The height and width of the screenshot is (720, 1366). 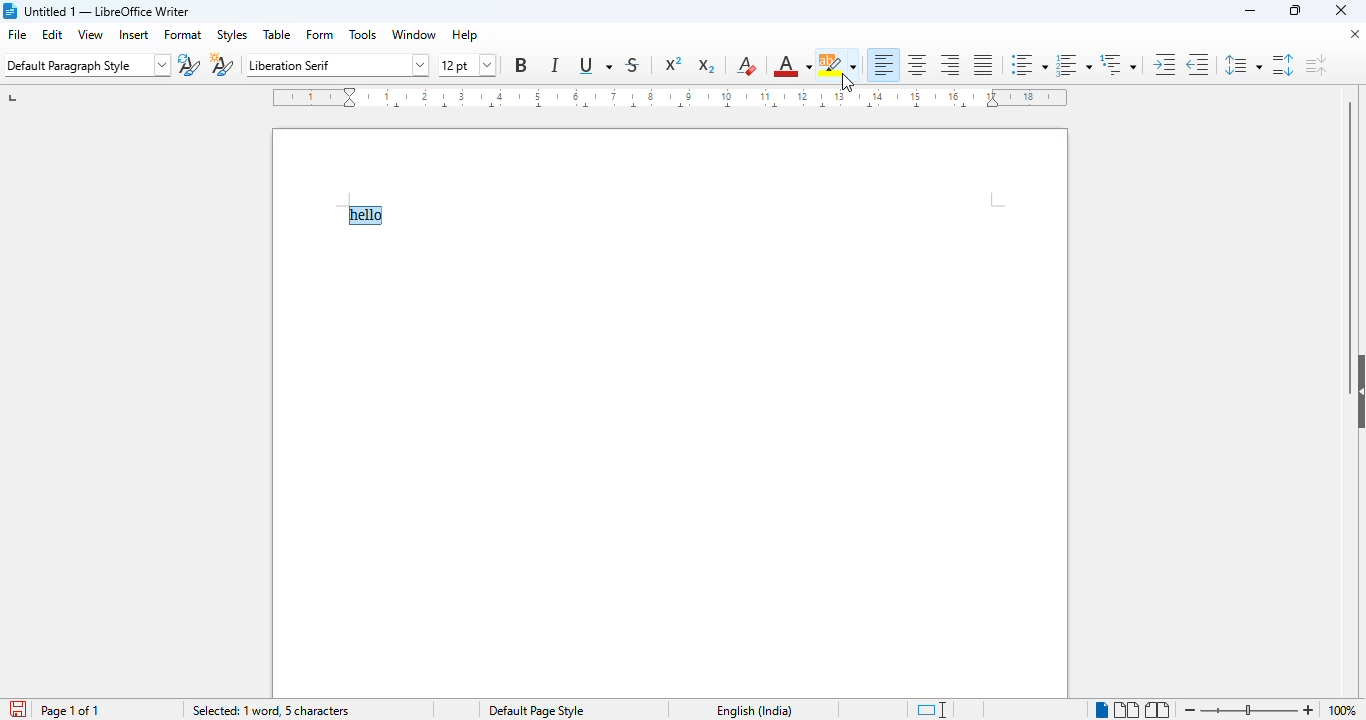 I want to click on format, so click(x=183, y=34).